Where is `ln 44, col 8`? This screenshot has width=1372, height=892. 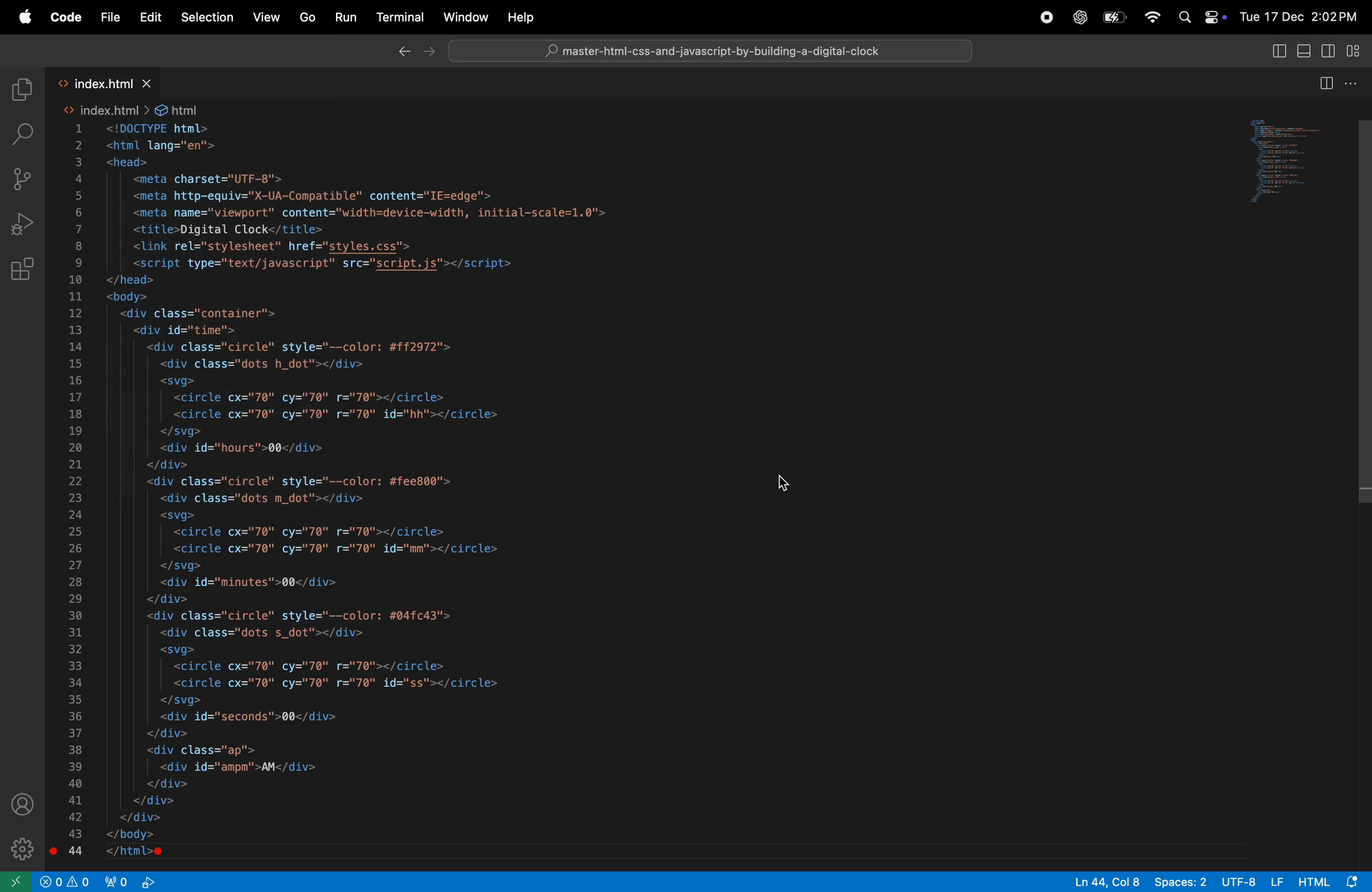 ln 44, col 8 is located at coordinates (1099, 880).